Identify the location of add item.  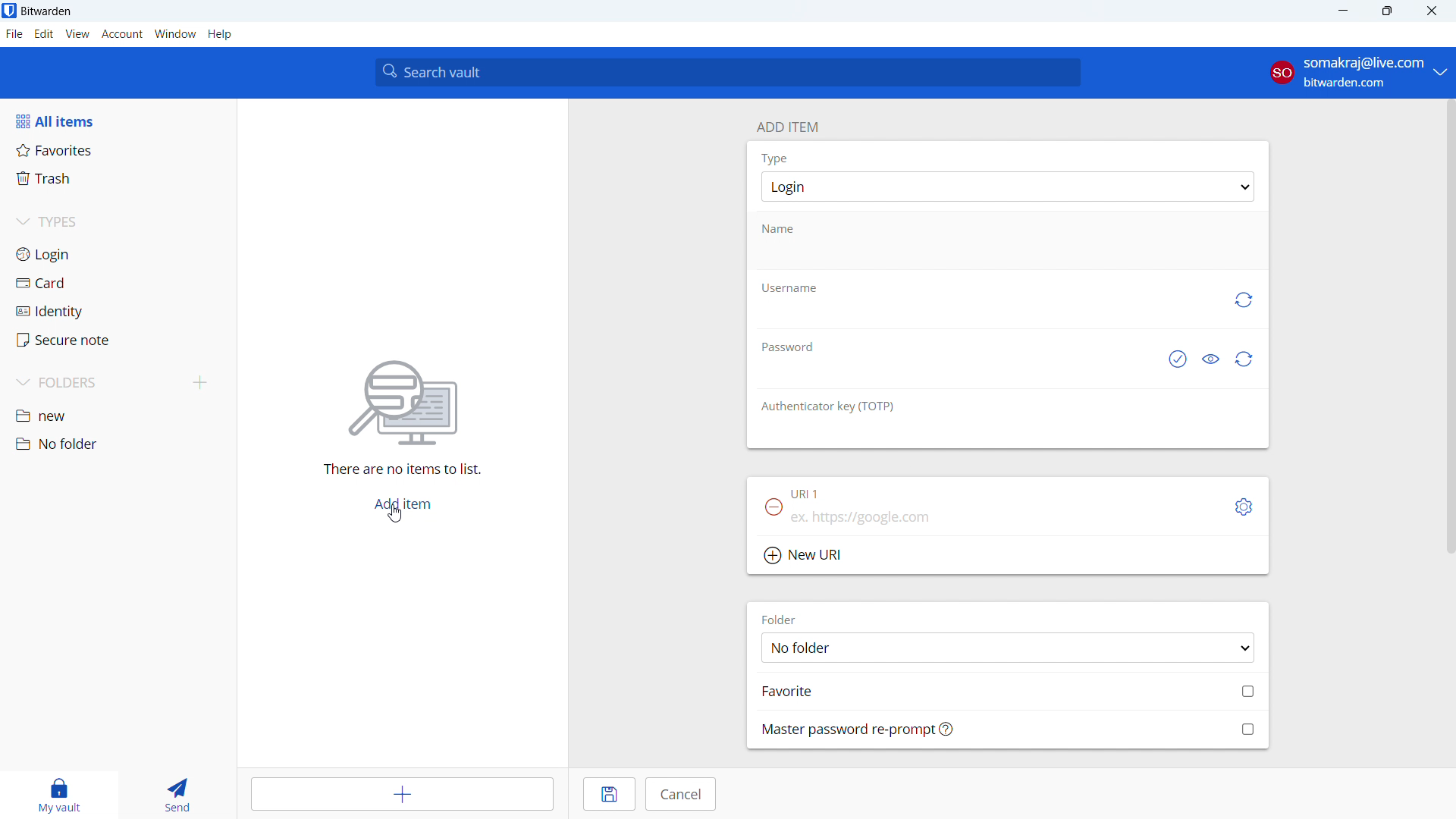
(405, 794).